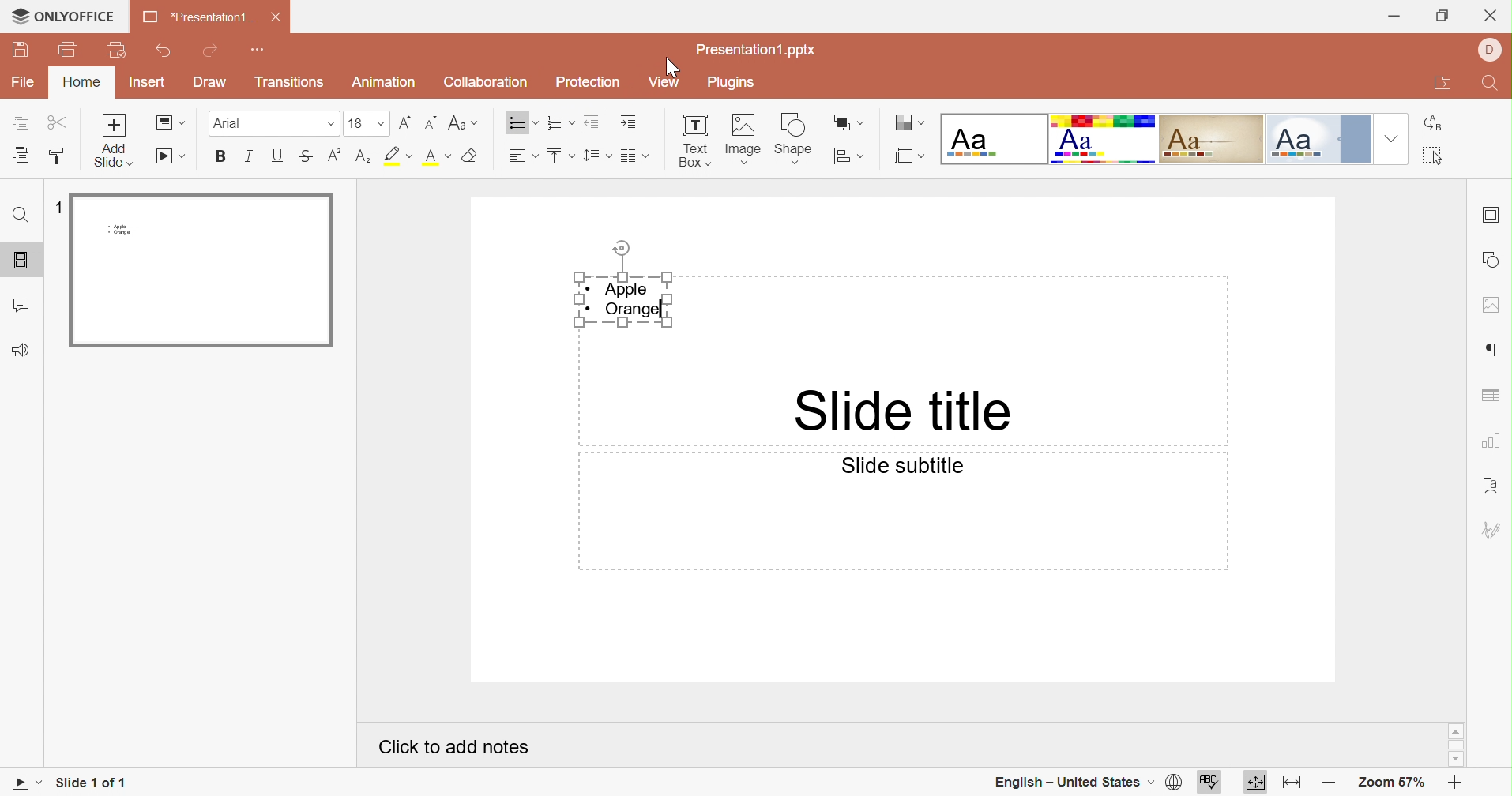 This screenshot has width=1512, height=796. I want to click on Text Art settings, so click(1495, 485).